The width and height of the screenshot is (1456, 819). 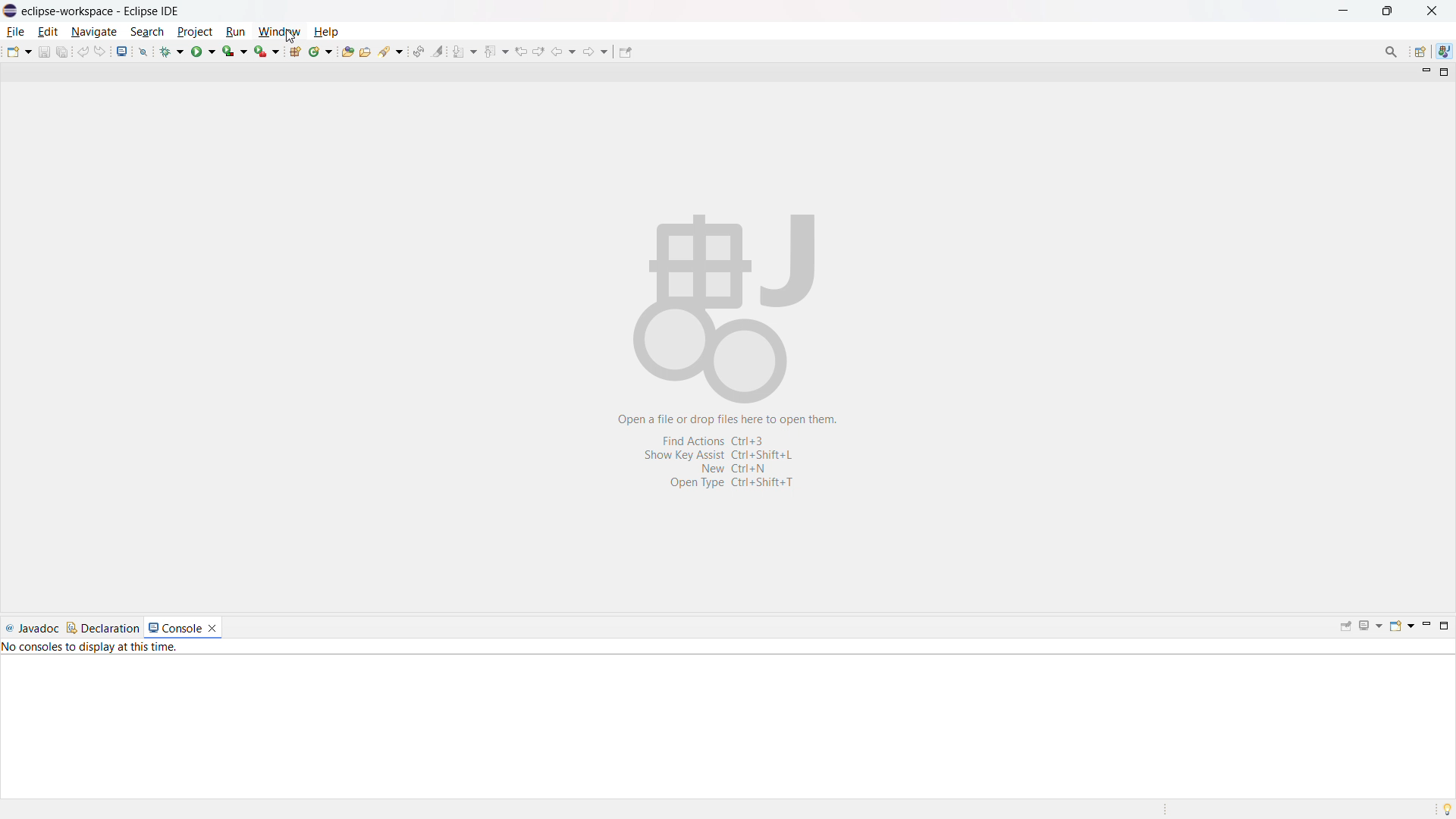 I want to click on help, so click(x=326, y=32).